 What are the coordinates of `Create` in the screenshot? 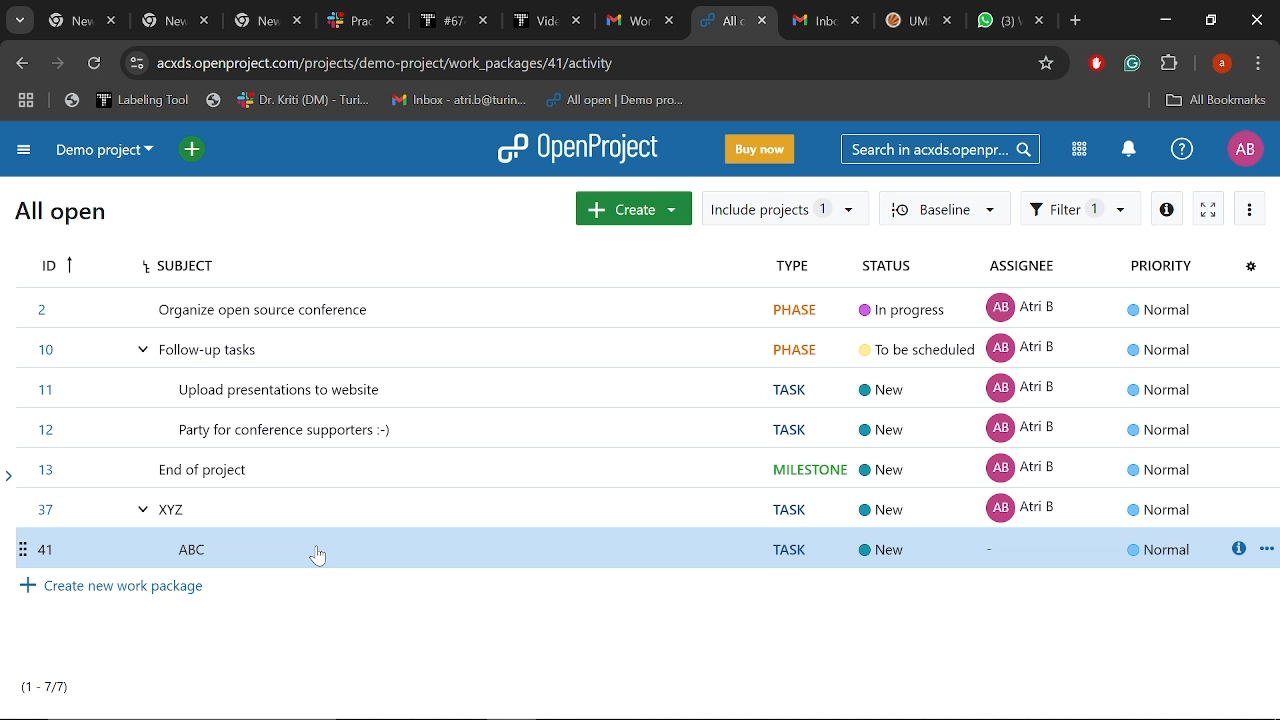 It's located at (630, 209).